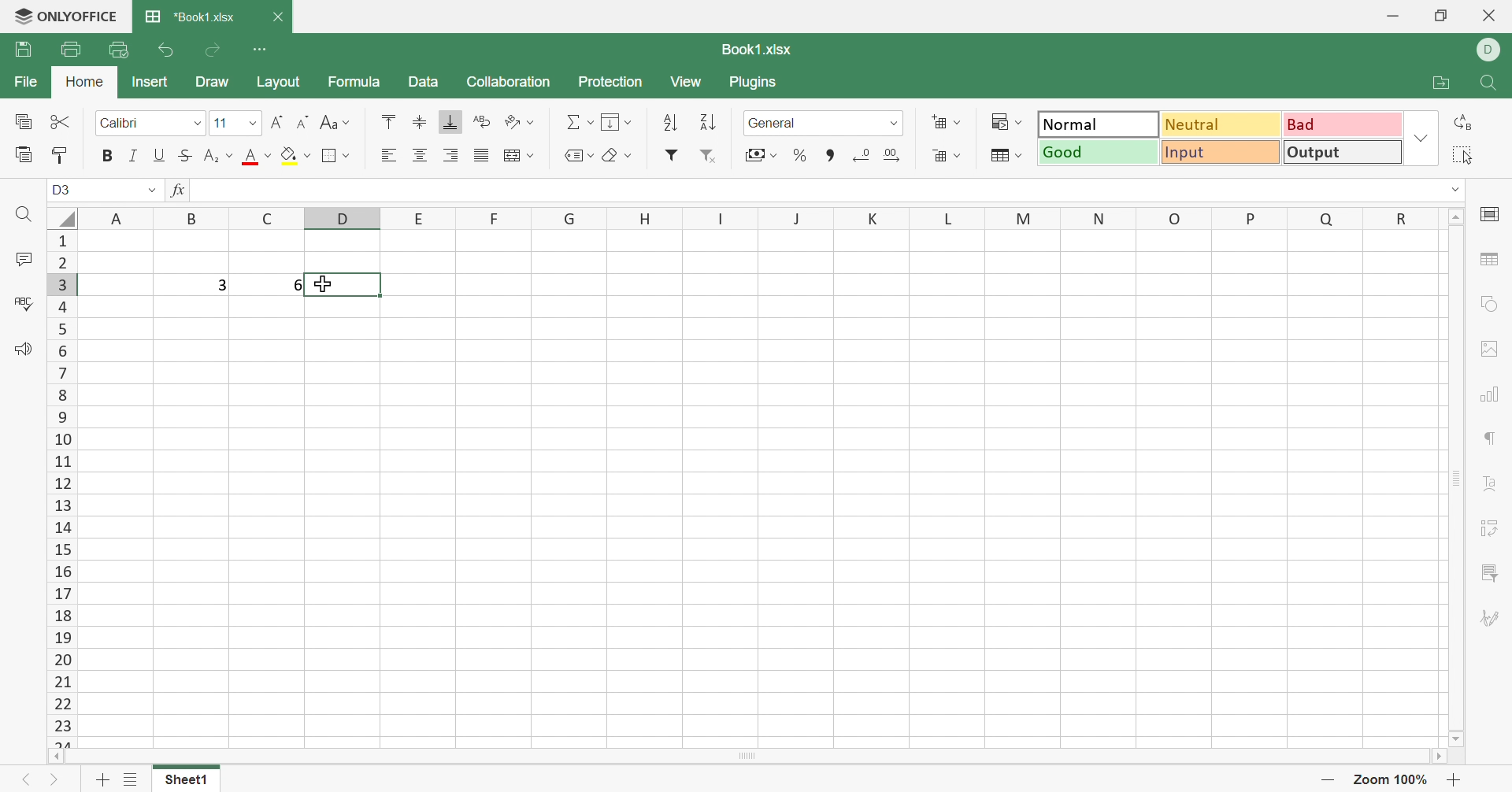 This screenshot has width=1512, height=792. Describe the element at coordinates (863, 155) in the screenshot. I see `Decrease decimal` at that location.